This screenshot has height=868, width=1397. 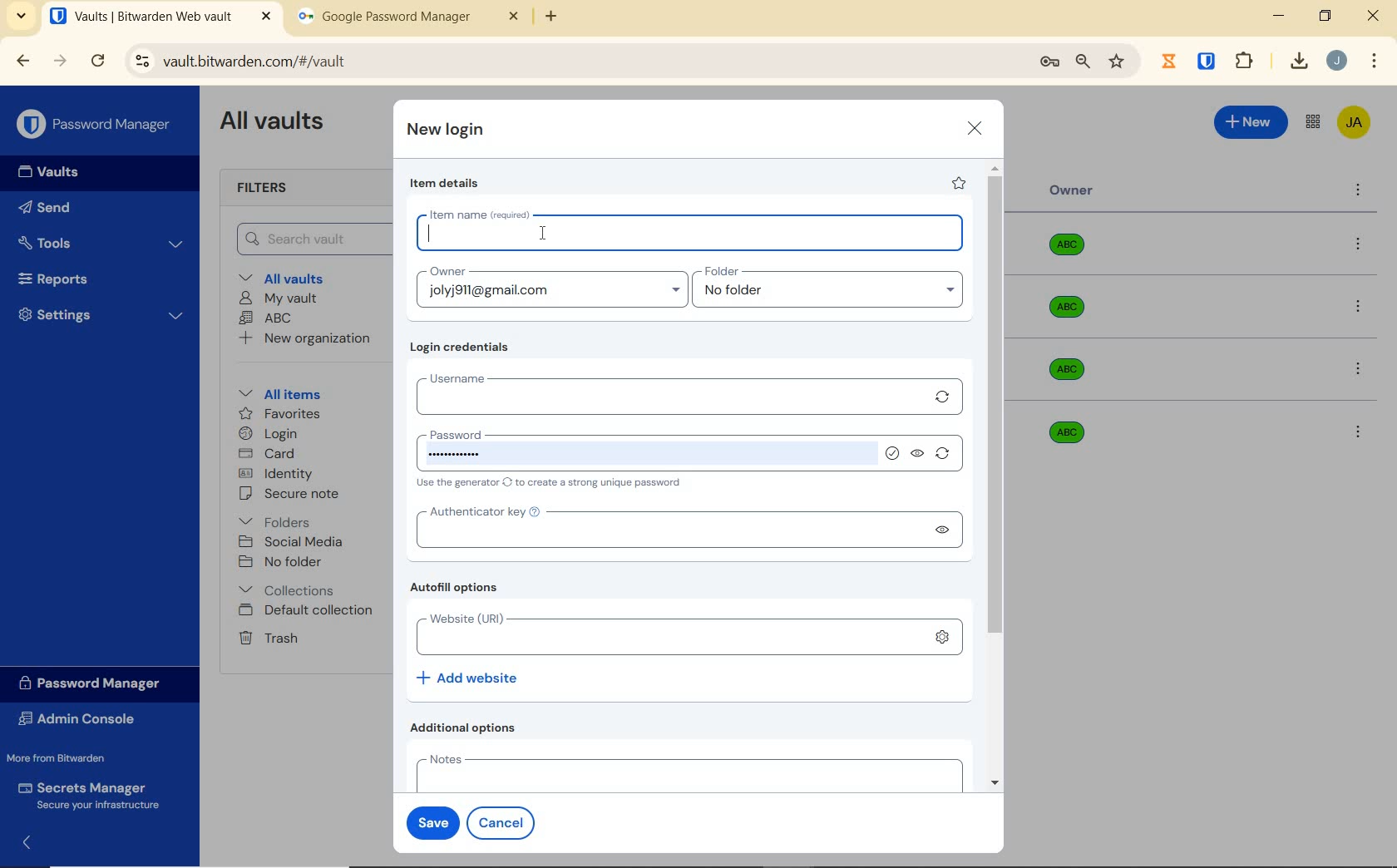 What do you see at coordinates (685, 772) in the screenshot?
I see `notes` at bounding box center [685, 772].